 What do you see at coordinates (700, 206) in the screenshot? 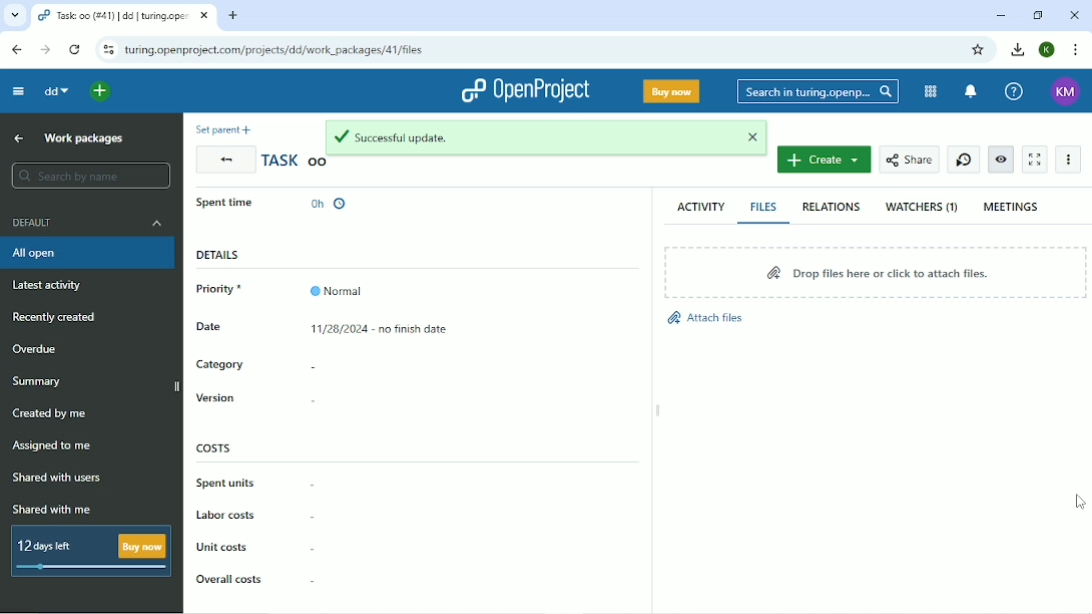
I see `Activity` at bounding box center [700, 206].